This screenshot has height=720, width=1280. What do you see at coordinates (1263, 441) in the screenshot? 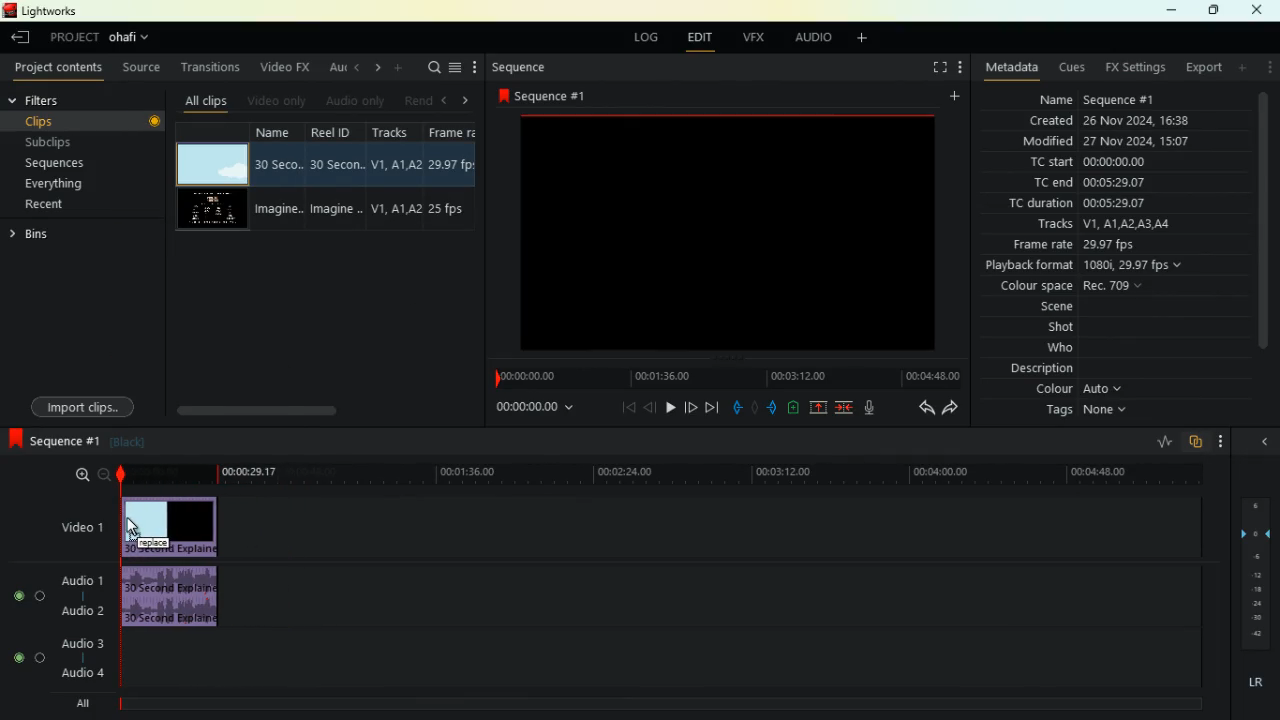
I see `close` at bounding box center [1263, 441].